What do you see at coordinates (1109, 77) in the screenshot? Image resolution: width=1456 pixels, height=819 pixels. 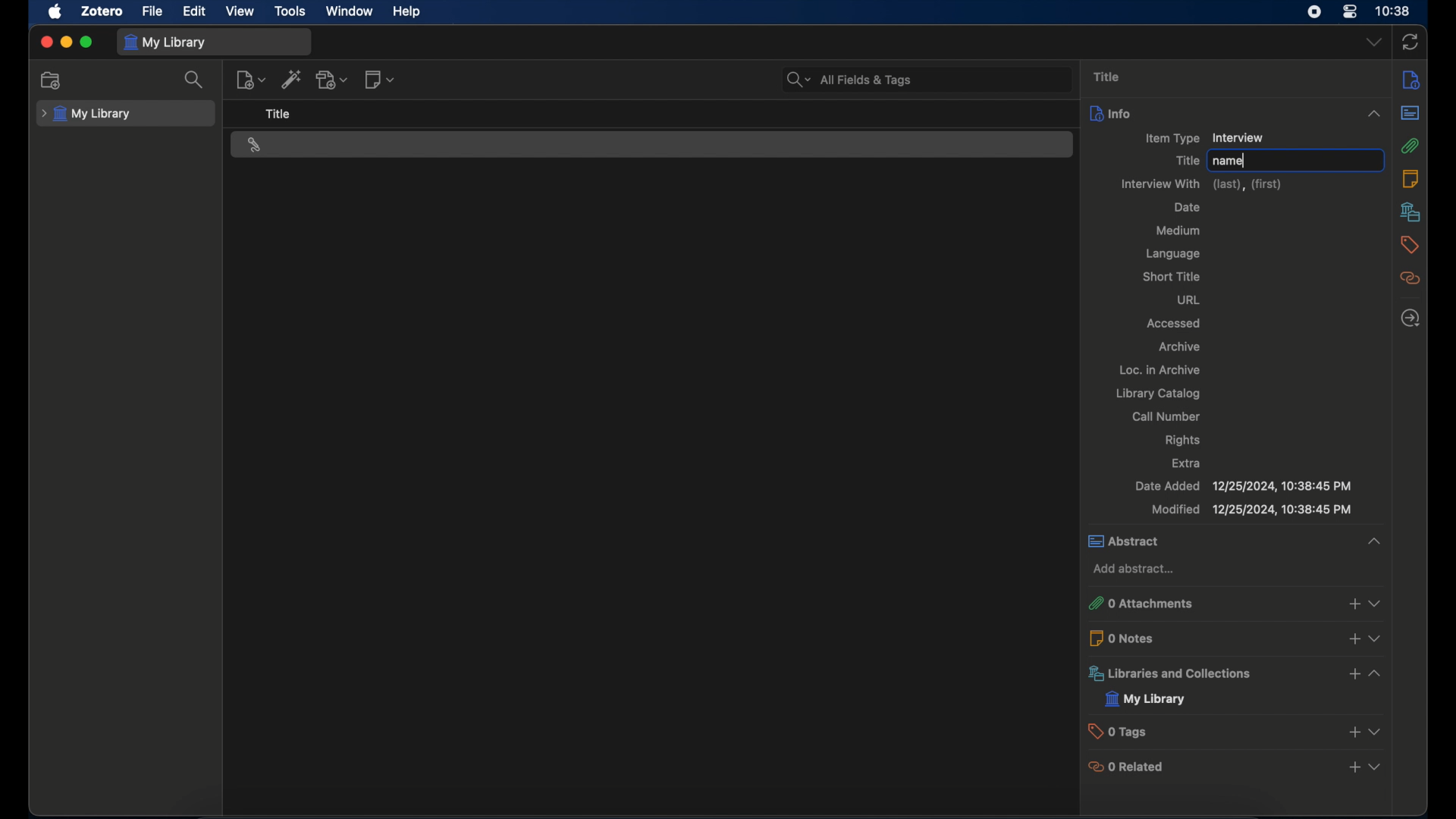 I see `title` at bounding box center [1109, 77].